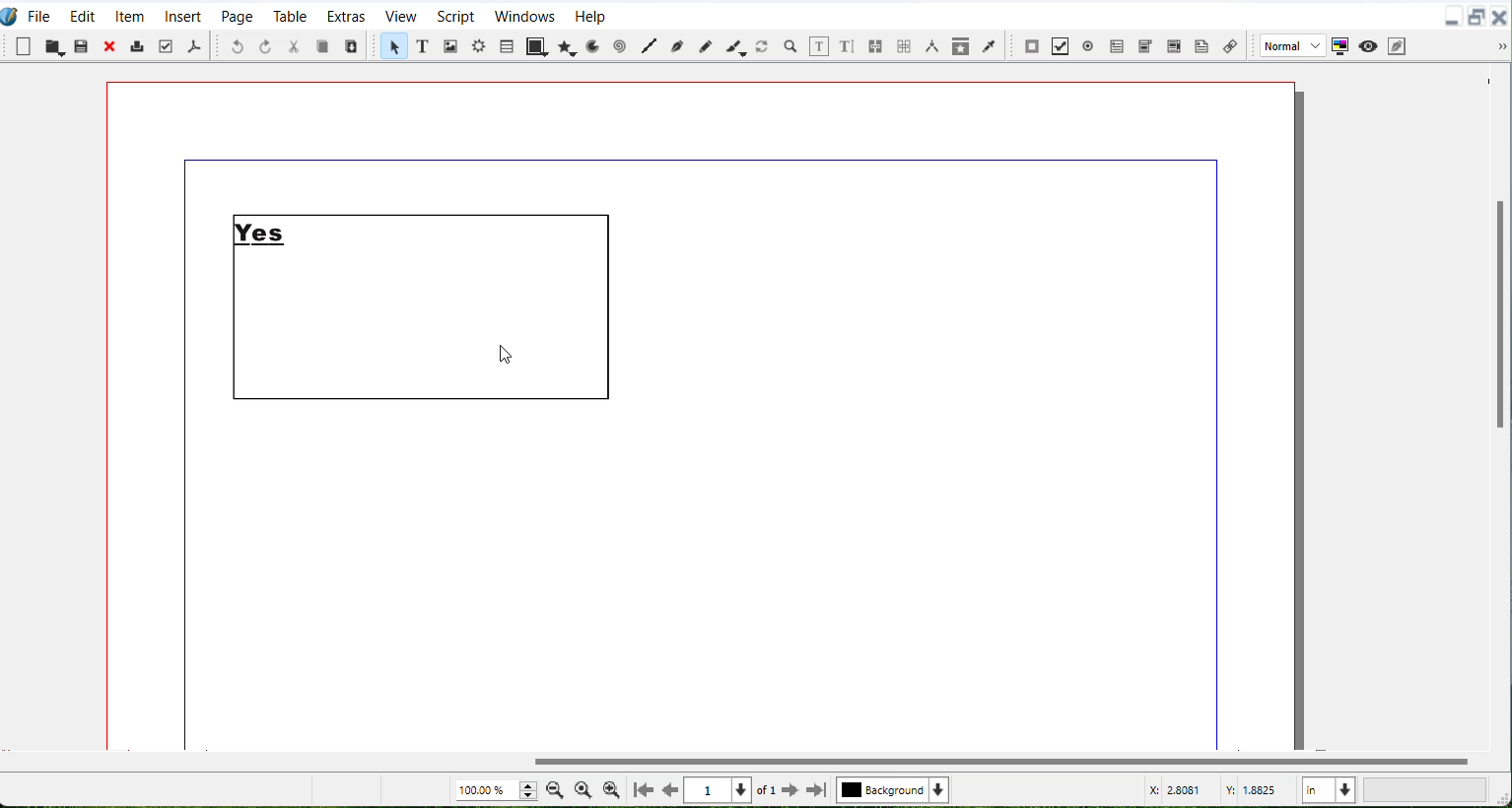 This screenshot has height=808, width=1512. Describe the element at coordinates (295, 46) in the screenshot. I see `Cut` at that location.